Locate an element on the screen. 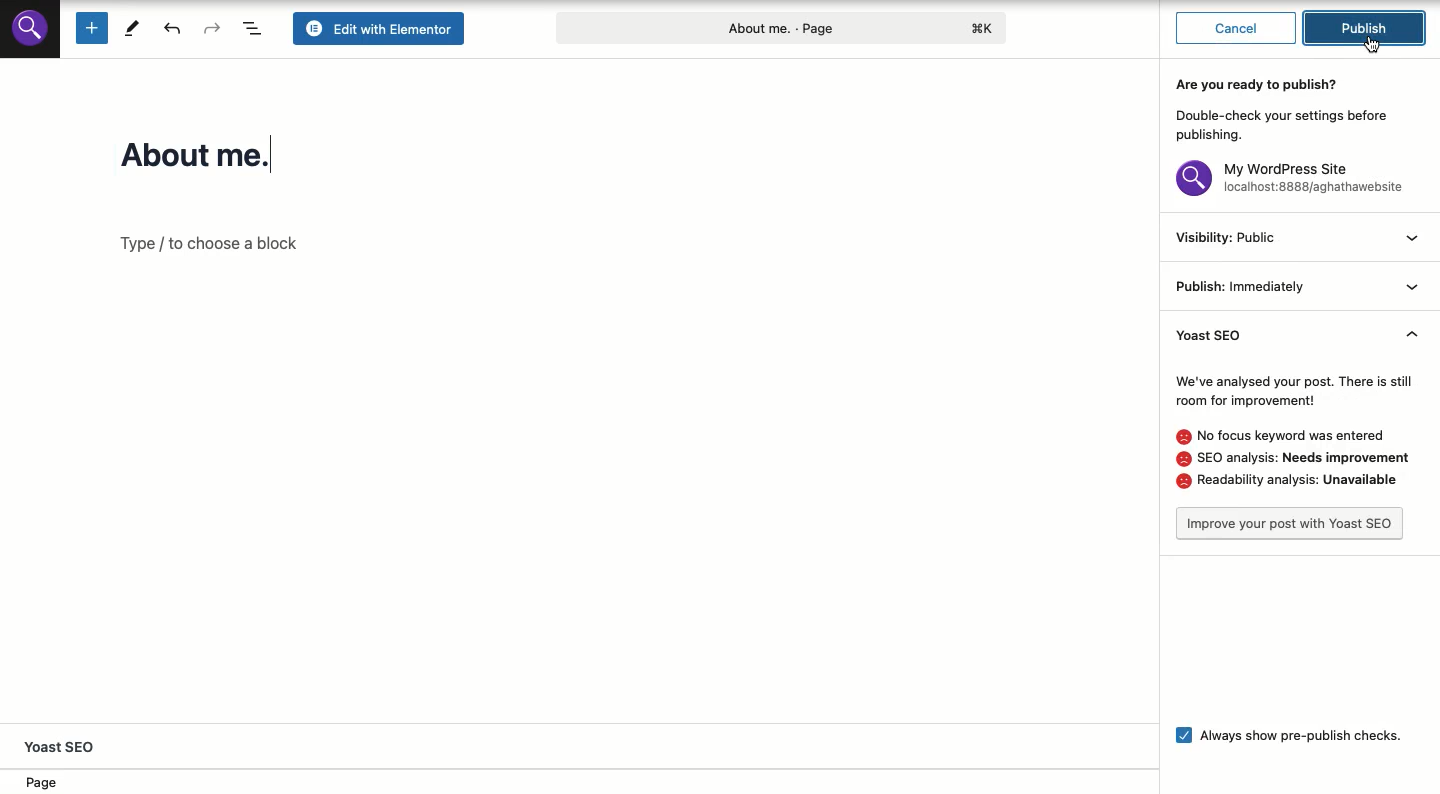 This screenshot has width=1440, height=794. Collapse is located at coordinates (1415, 285).